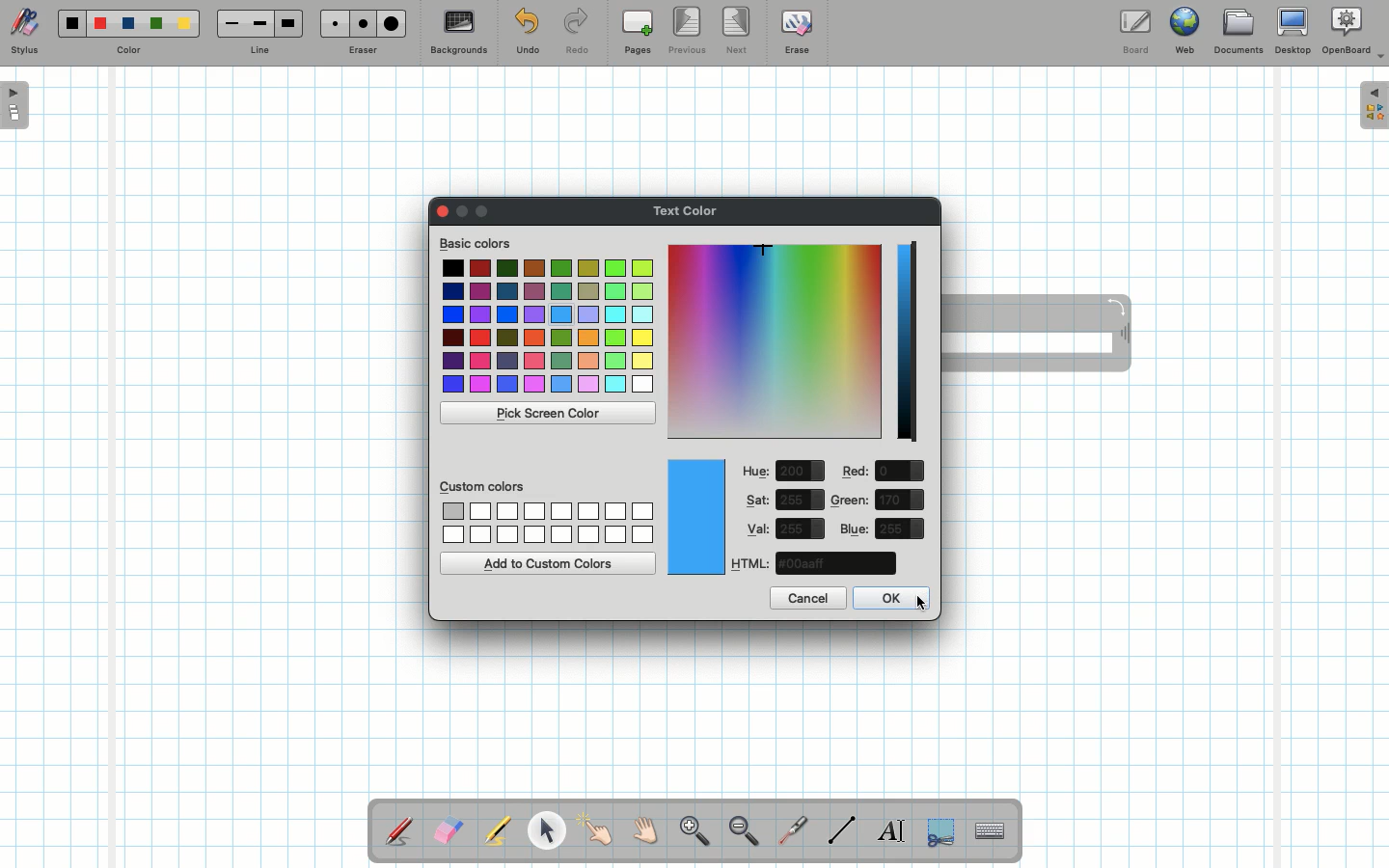  Describe the element at coordinates (289, 23) in the screenshot. I see `Large line` at that location.